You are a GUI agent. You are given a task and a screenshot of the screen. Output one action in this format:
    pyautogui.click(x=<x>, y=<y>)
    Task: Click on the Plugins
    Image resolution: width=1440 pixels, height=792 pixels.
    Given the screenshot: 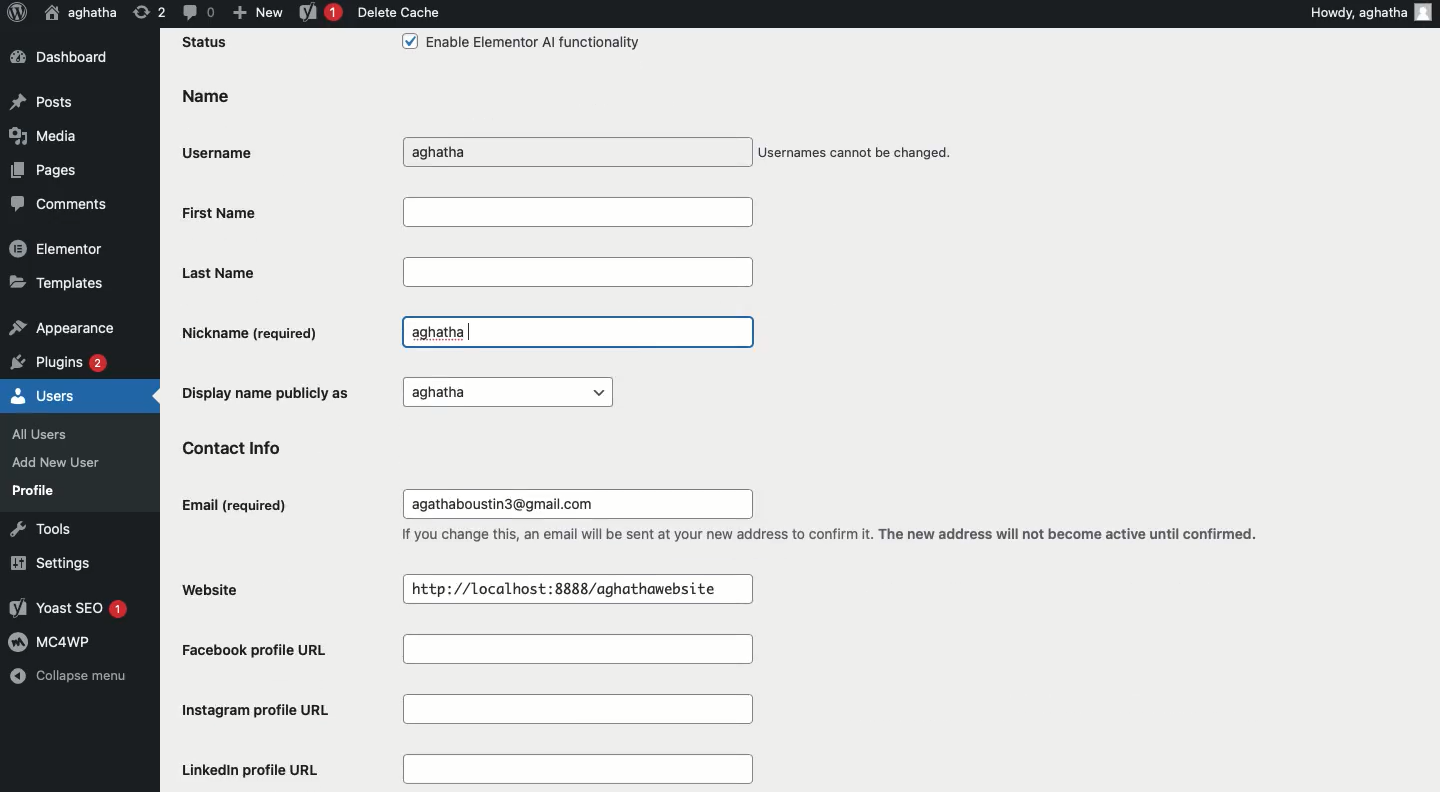 What is the action you would take?
    pyautogui.click(x=61, y=360)
    